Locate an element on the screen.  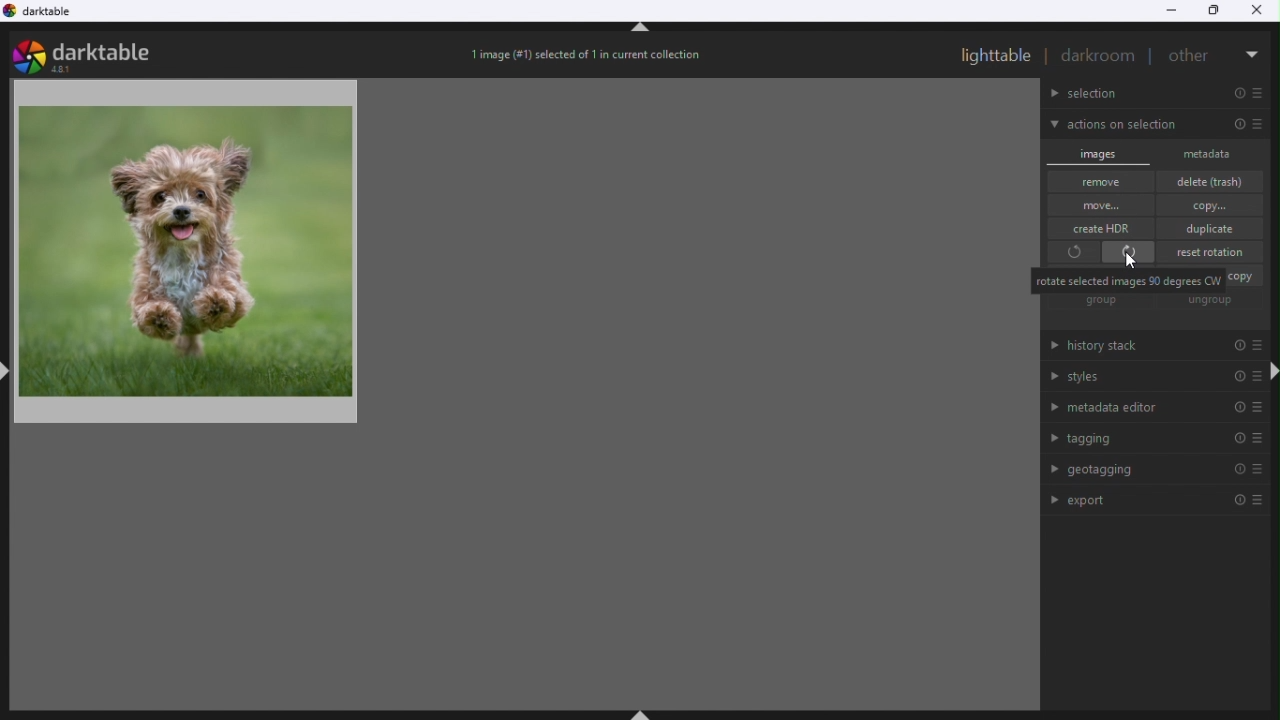
Rotate 90 degrees clockwise is located at coordinates (1130, 252).